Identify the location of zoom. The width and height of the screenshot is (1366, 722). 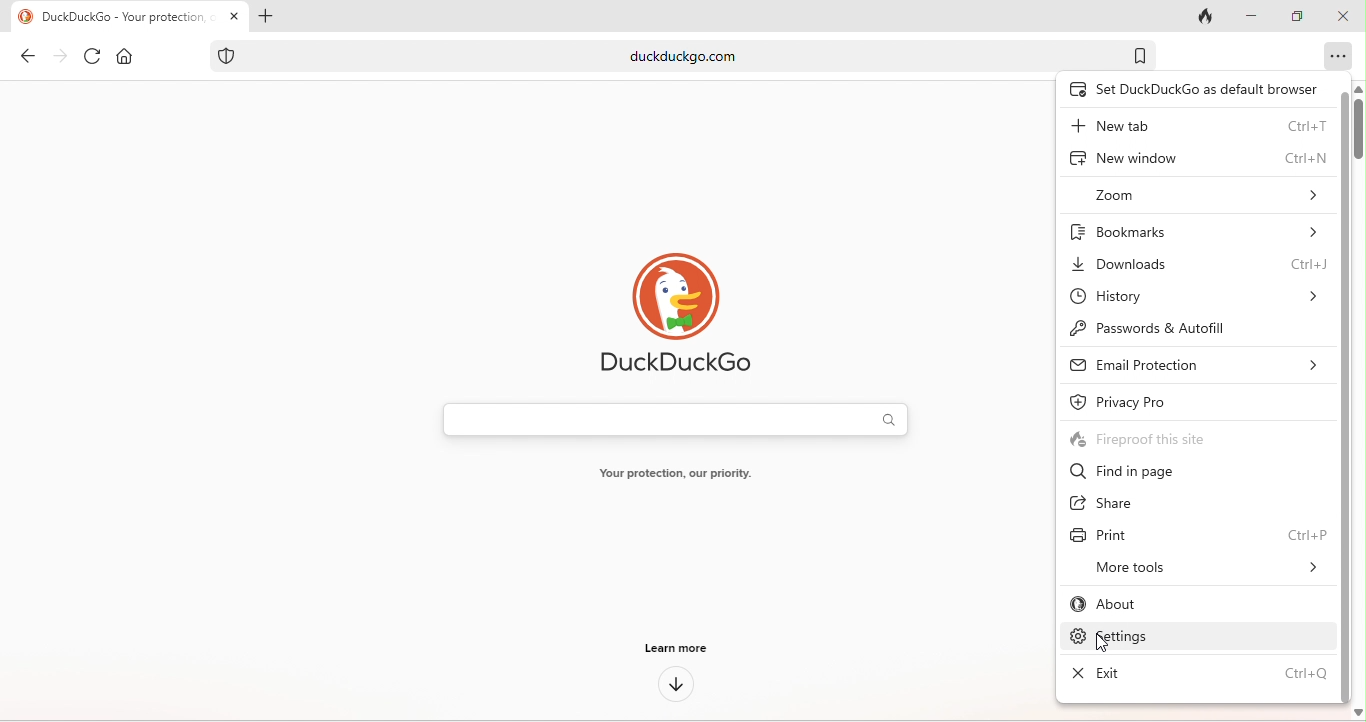
(1203, 196).